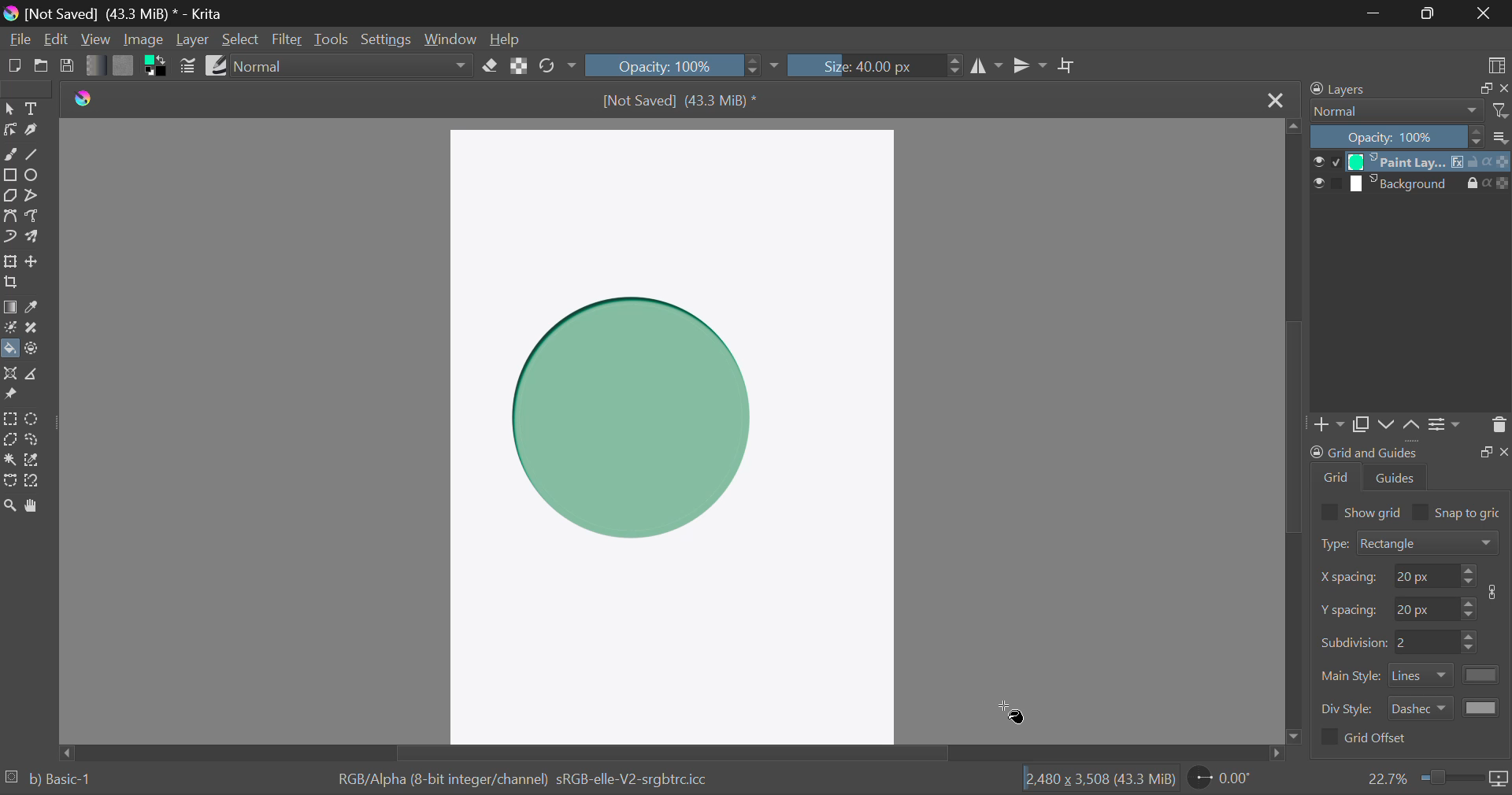 The width and height of the screenshot is (1512, 795). Describe the element at coordinates (14, 66) in the screenshot. I see `New` at that location.